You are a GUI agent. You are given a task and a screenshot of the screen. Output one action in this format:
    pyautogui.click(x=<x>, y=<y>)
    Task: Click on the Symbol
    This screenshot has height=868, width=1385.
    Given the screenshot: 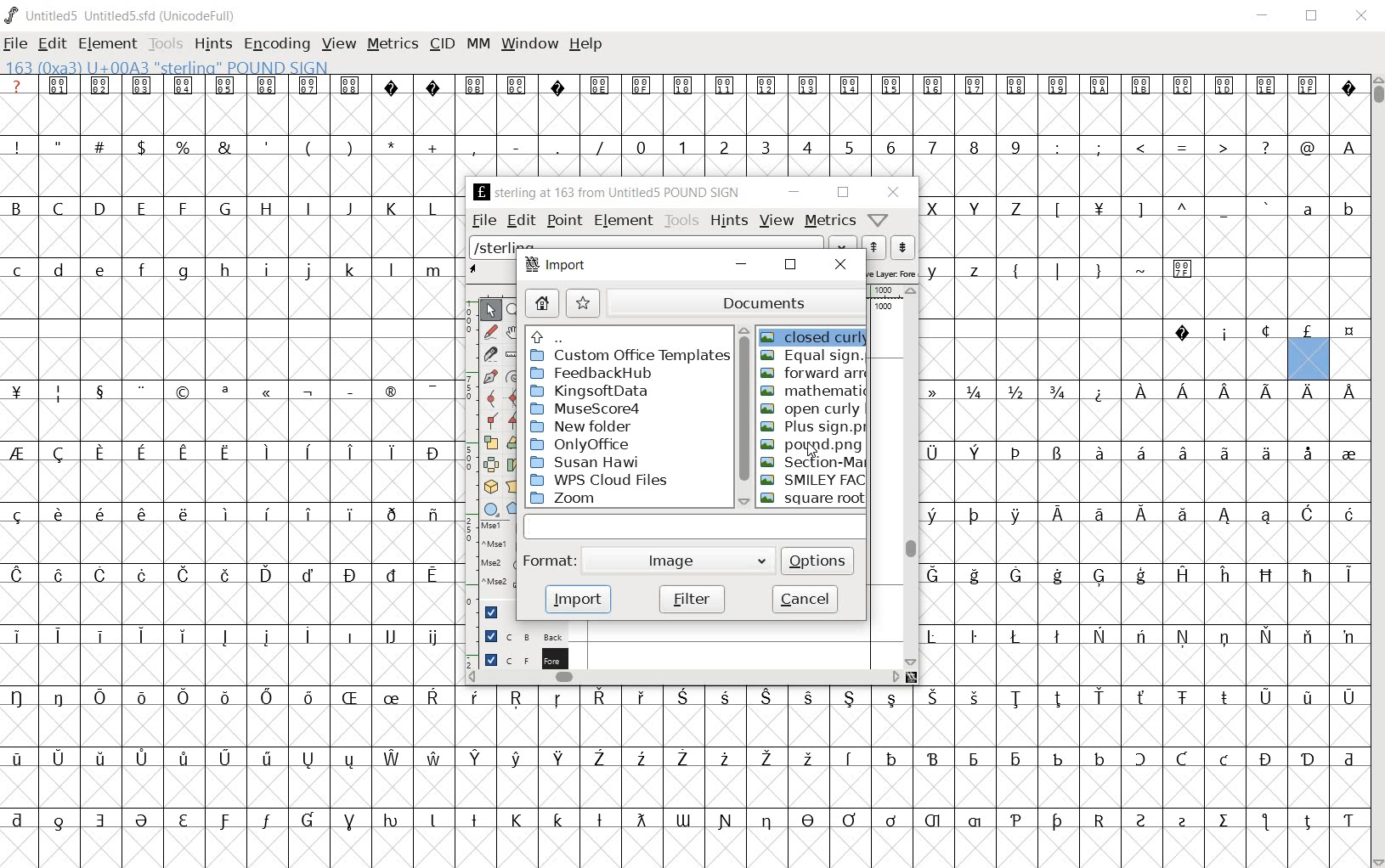 What is the action you would take?
    pyautogui.click(x=59, y=573)
    